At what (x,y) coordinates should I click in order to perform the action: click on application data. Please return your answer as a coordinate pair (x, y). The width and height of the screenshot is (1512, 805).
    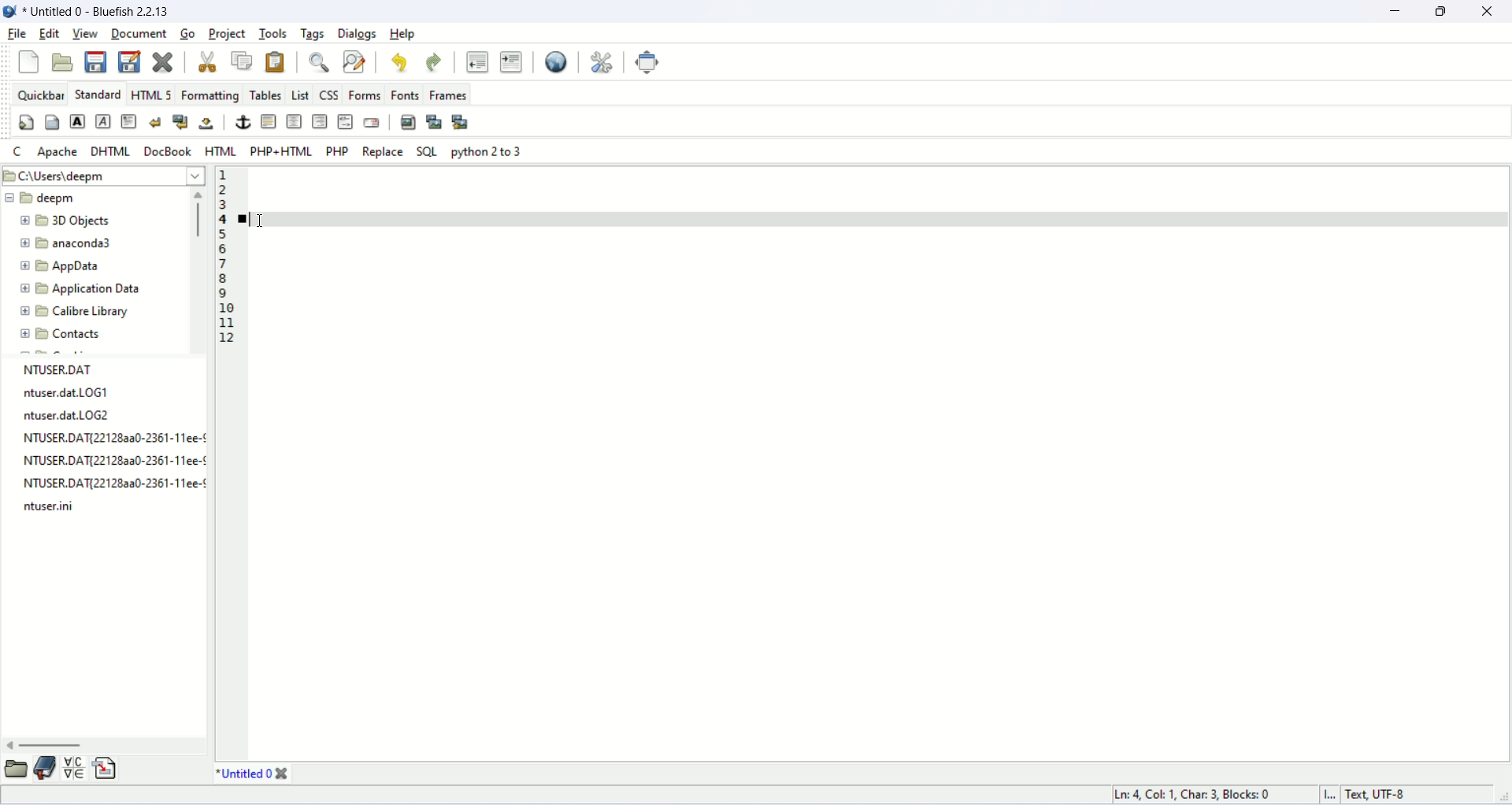
    Looking at the image, I should click on (78, 290).